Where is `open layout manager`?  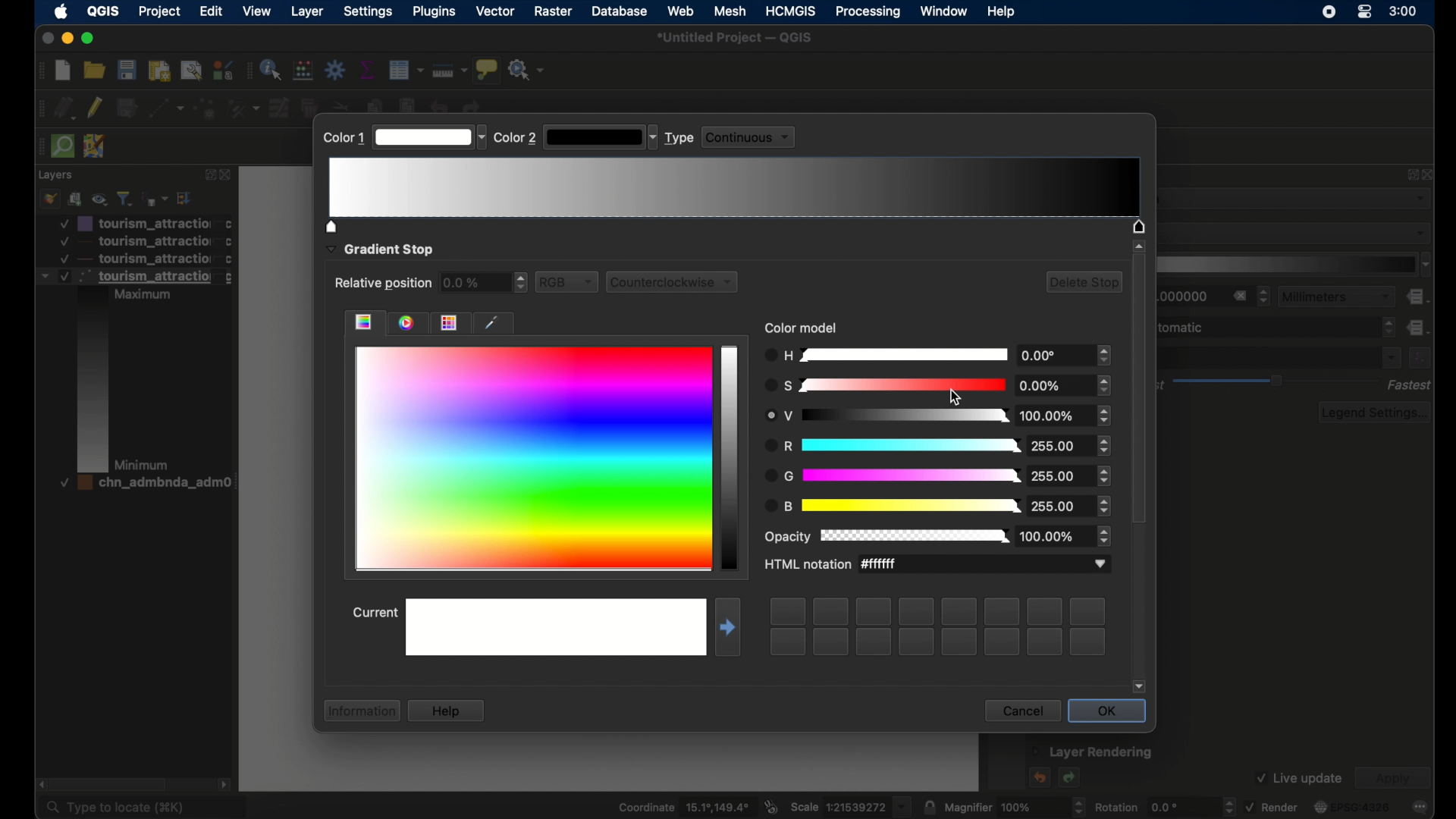
open layout manager is located at coordinates (191, 71).